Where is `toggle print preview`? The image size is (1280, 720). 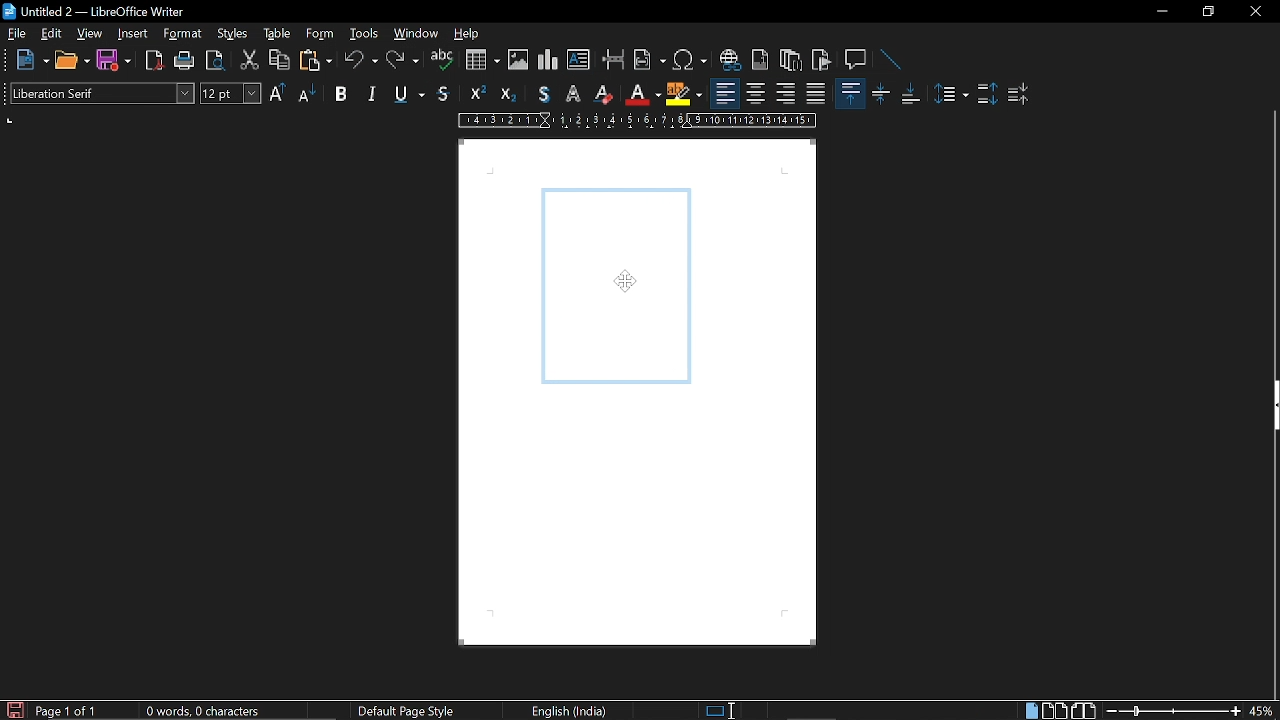 toggle print preview is located at coordinates (213, 61).